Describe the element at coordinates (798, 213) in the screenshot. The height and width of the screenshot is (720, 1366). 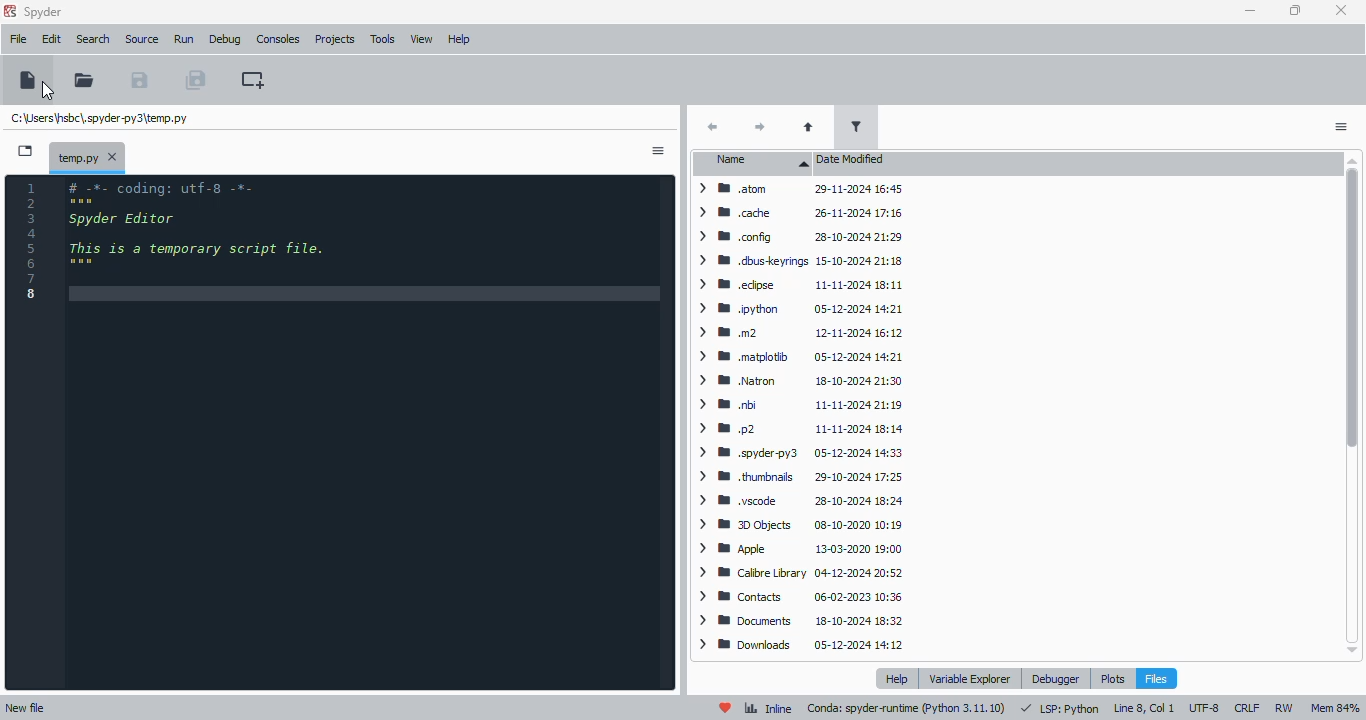
I see `> MW cache 26-11-2024 17:16` at that location.